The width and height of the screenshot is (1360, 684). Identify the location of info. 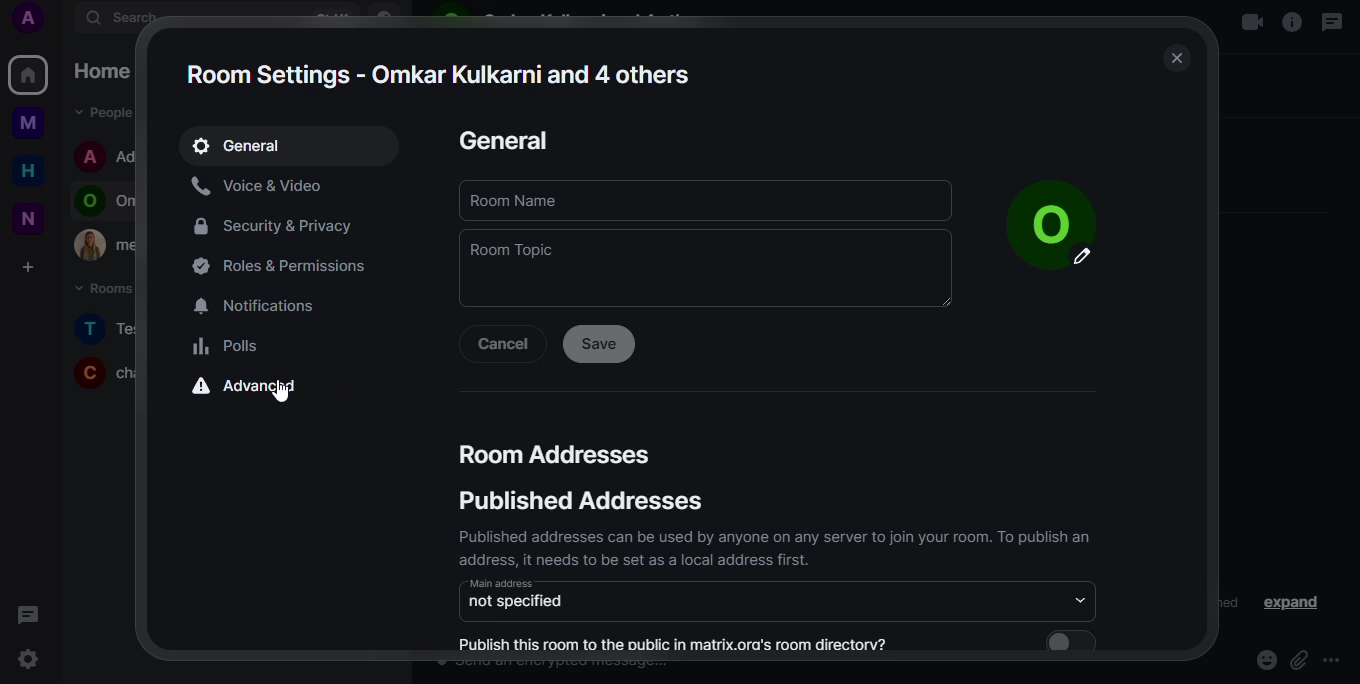
(779, 547).